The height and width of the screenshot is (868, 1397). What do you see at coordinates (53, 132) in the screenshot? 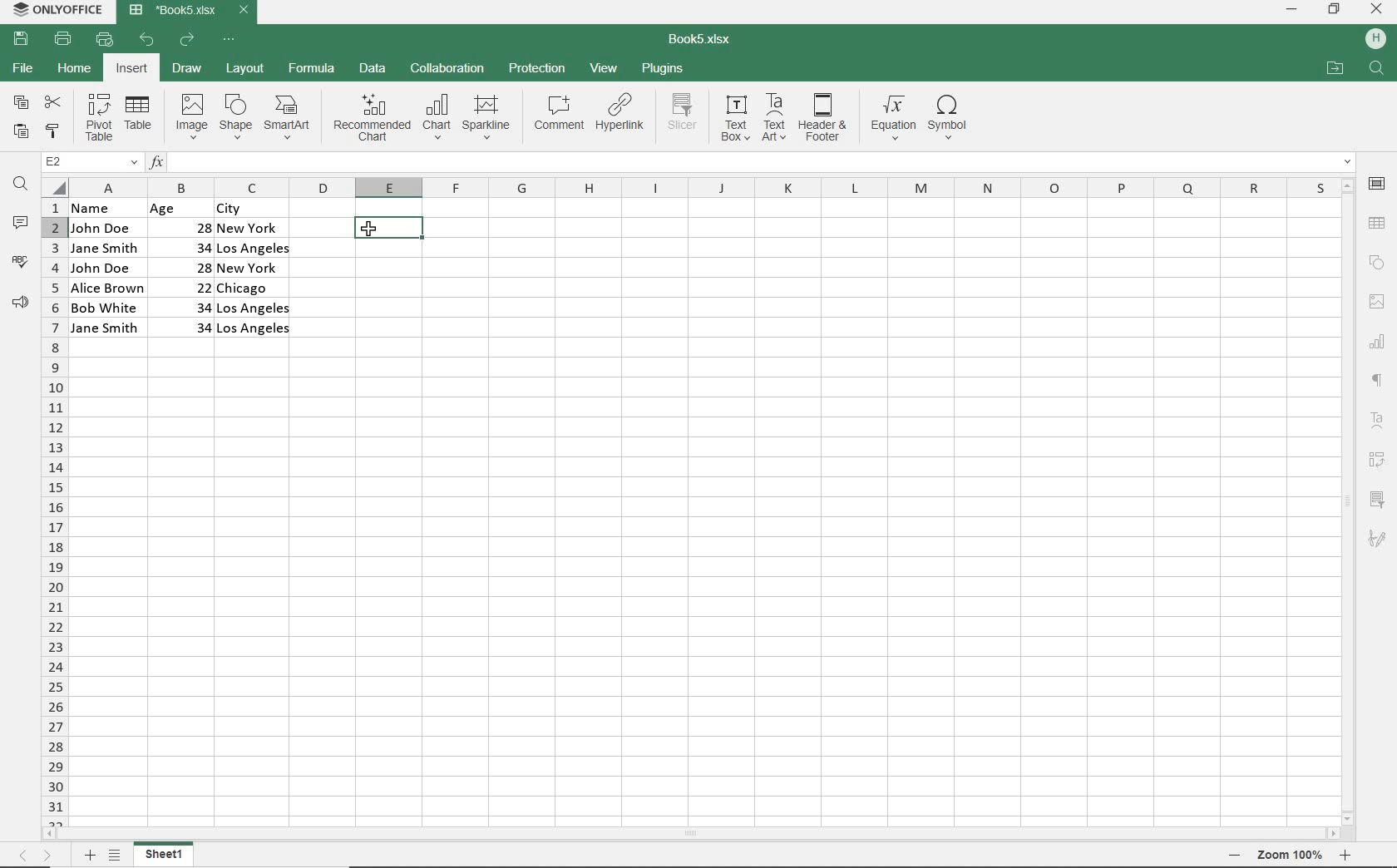
I see `COPY STYLE` at bounding box center [53, 132].